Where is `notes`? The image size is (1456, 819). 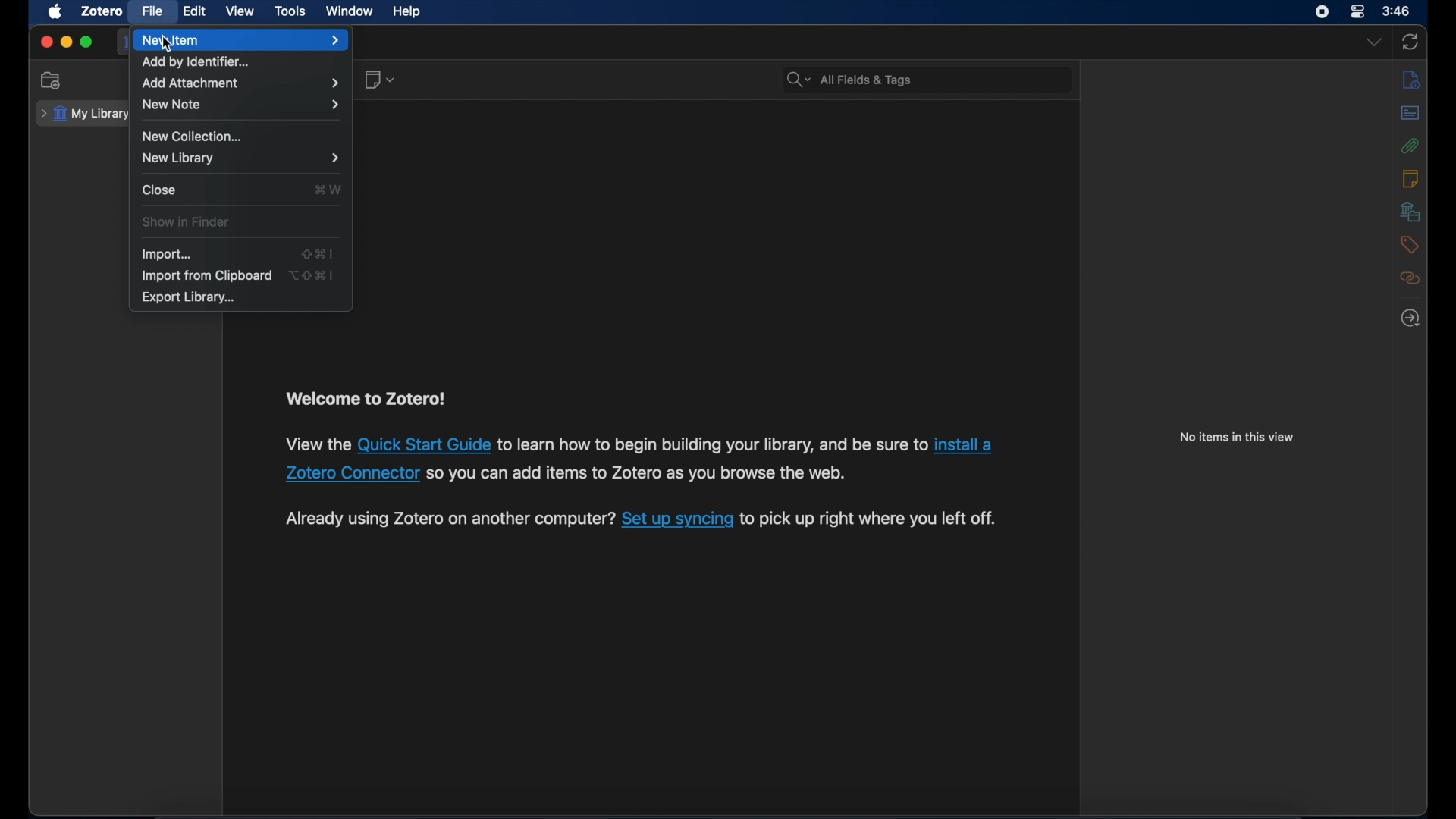 notes is located at coordinates (1410, 177).